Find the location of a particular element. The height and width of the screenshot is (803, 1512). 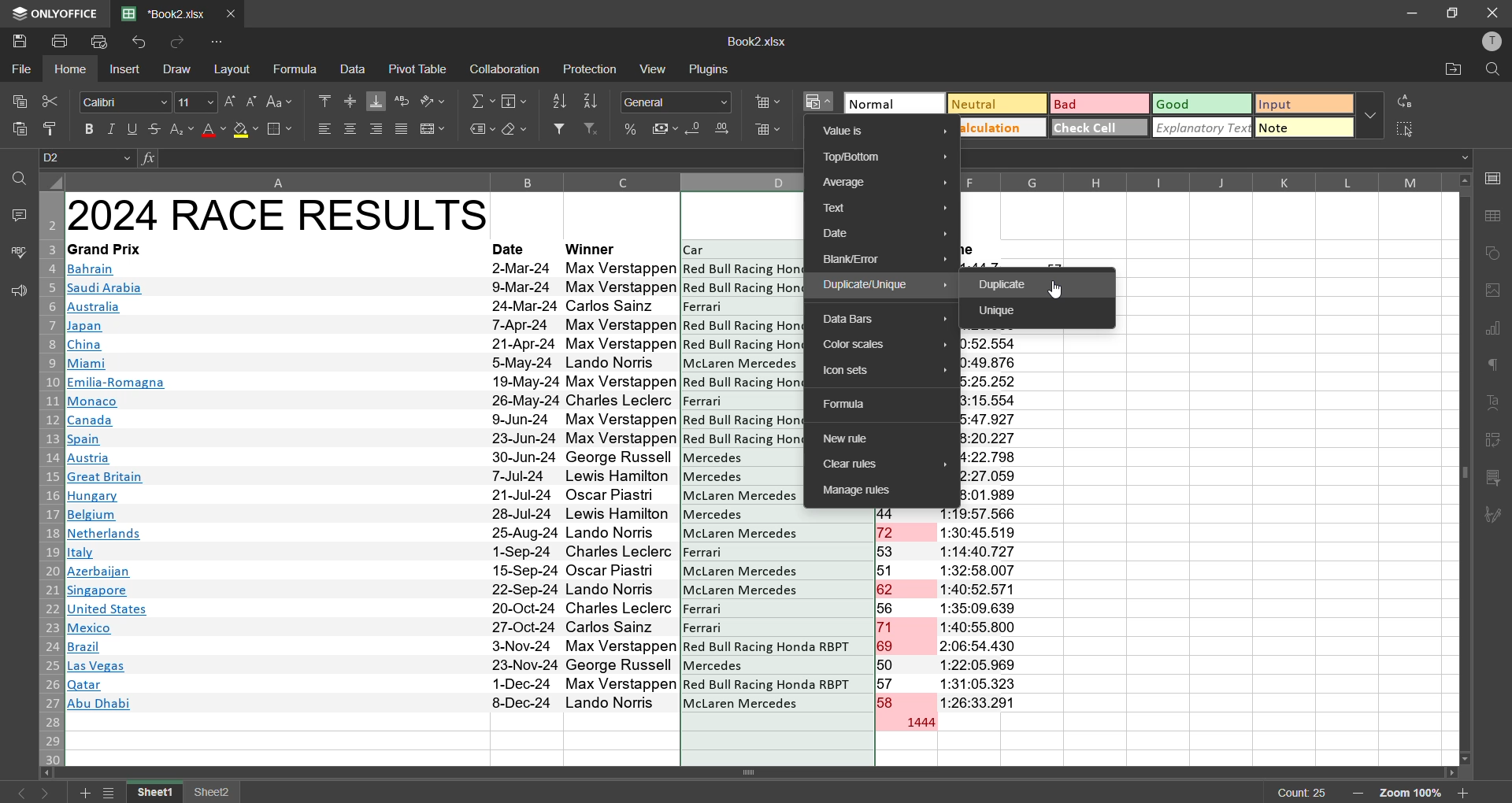

protection is located at coordinates (592, 71).